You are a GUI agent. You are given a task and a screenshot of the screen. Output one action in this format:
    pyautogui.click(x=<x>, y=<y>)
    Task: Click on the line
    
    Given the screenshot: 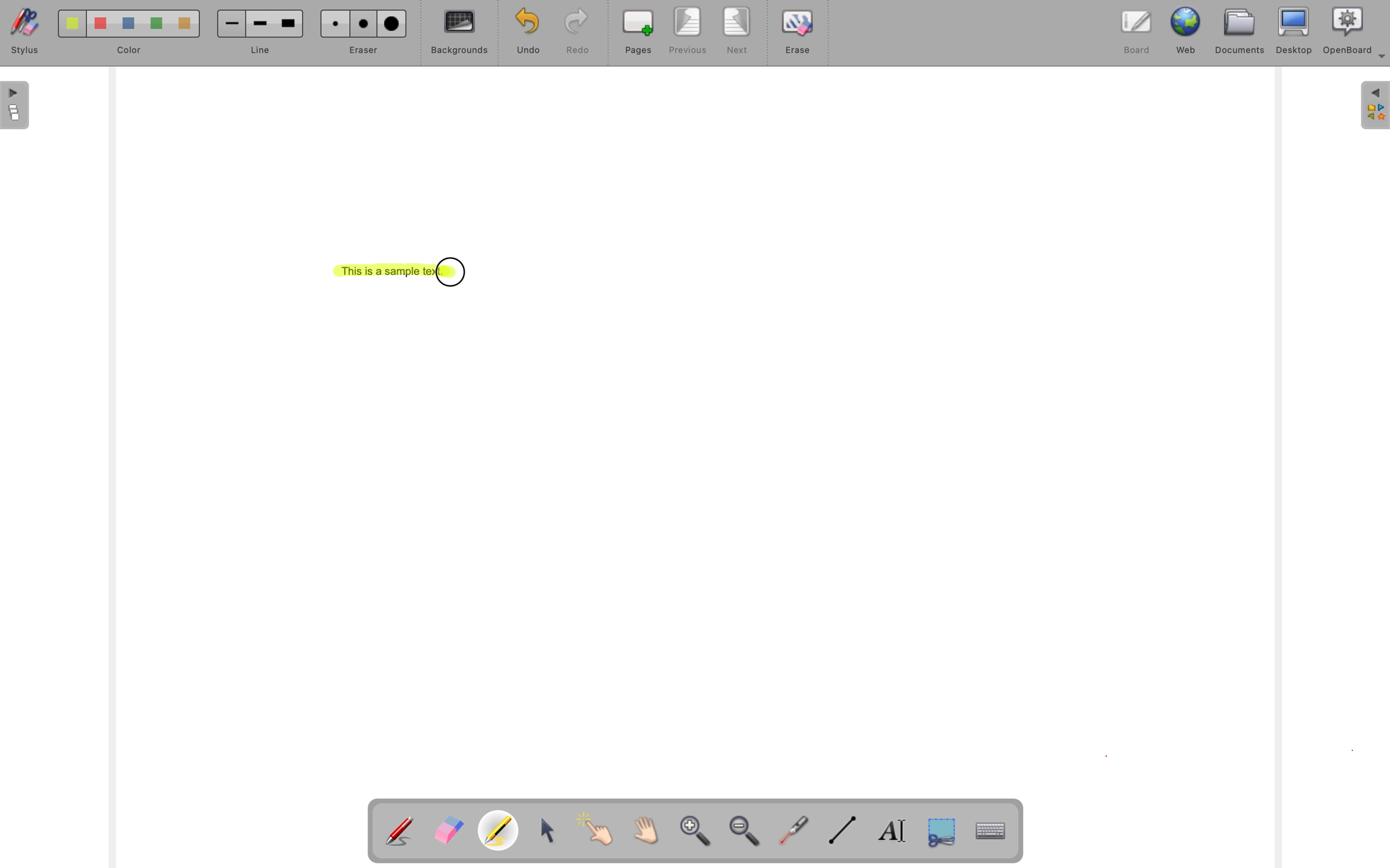 What is the action you would take?
    pyautogui.click(x=261, y=51)
    